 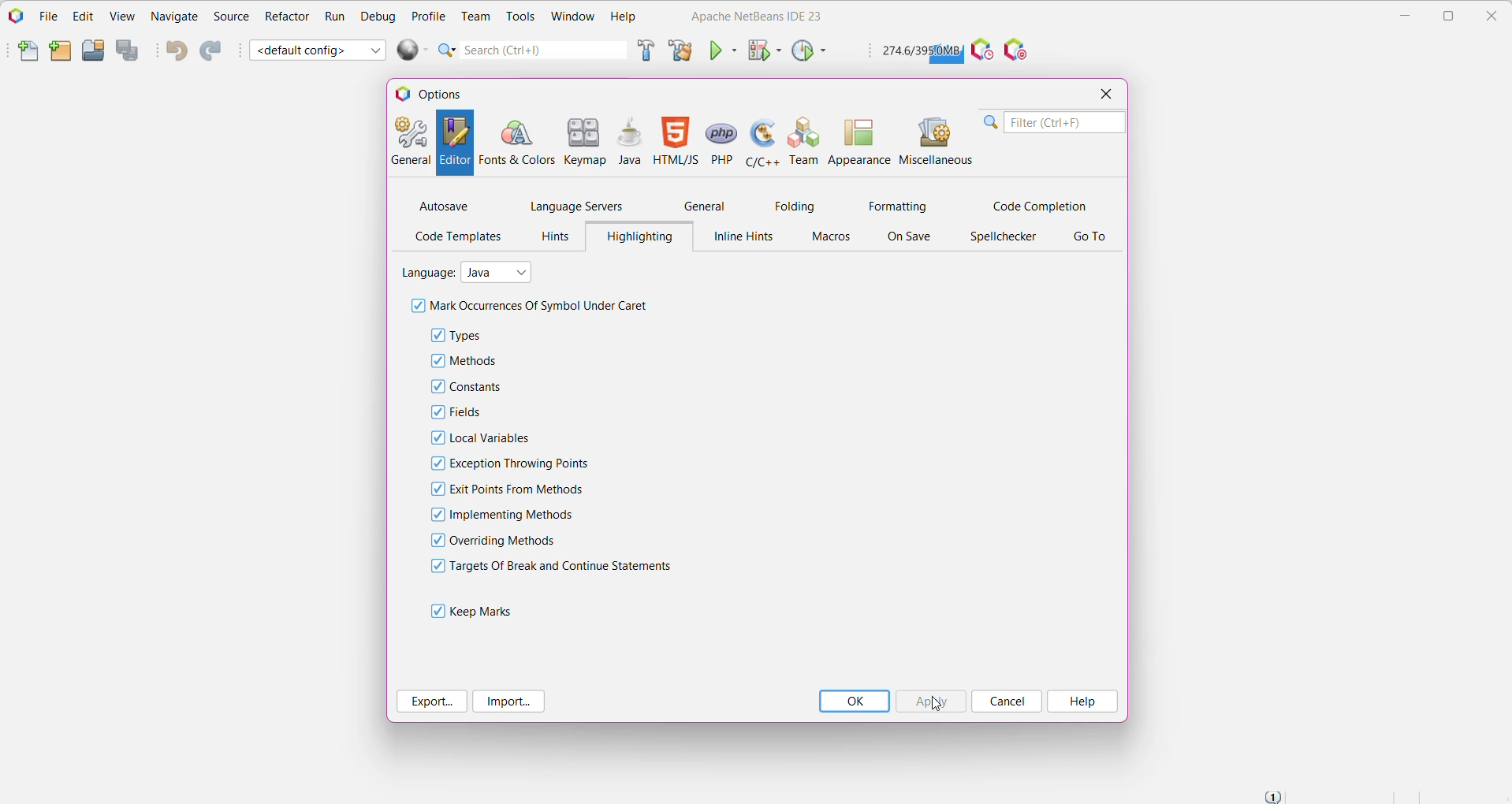 I want to click on Miscellaneous, so click(x=934, y=141).